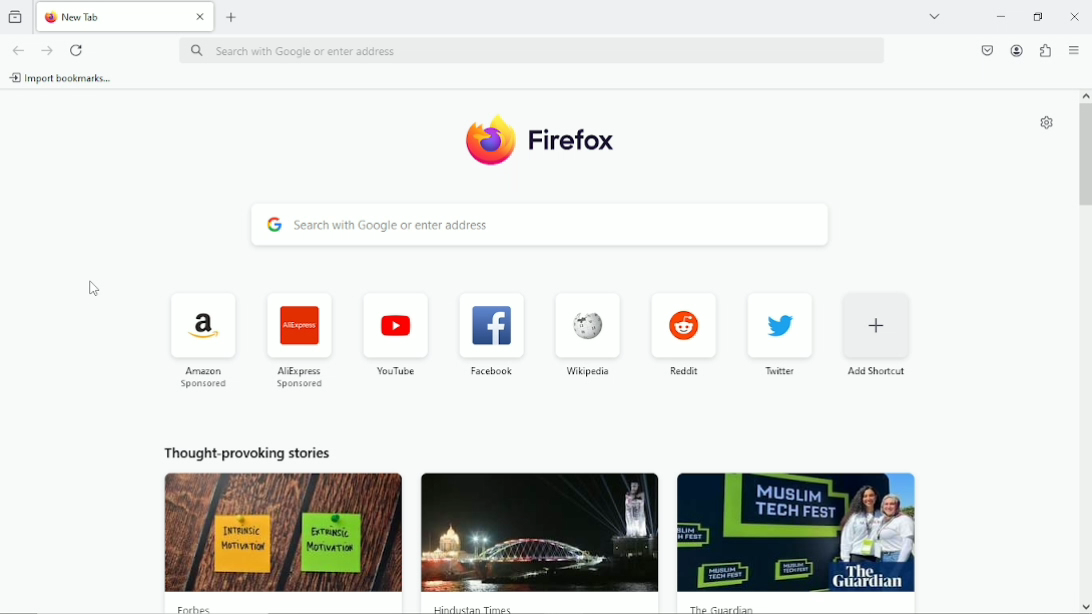 The width and height of the screenshot is (1092, 614). Describe the element at coordinates (284, 532) in the screenshot. I see `image` at that location.